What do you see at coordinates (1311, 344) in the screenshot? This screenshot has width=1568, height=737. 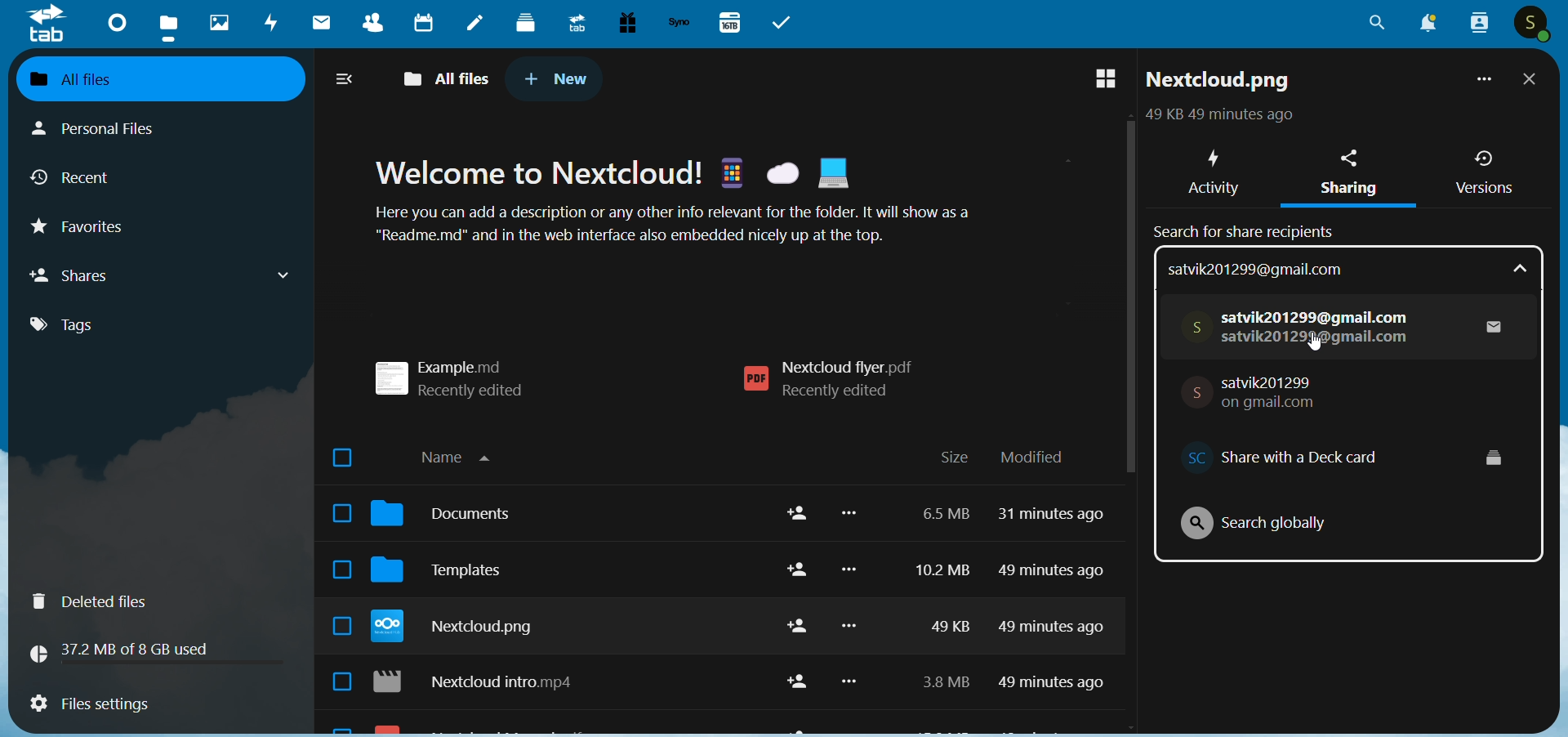 I see `cursor` at bounding box center [1311, 344].